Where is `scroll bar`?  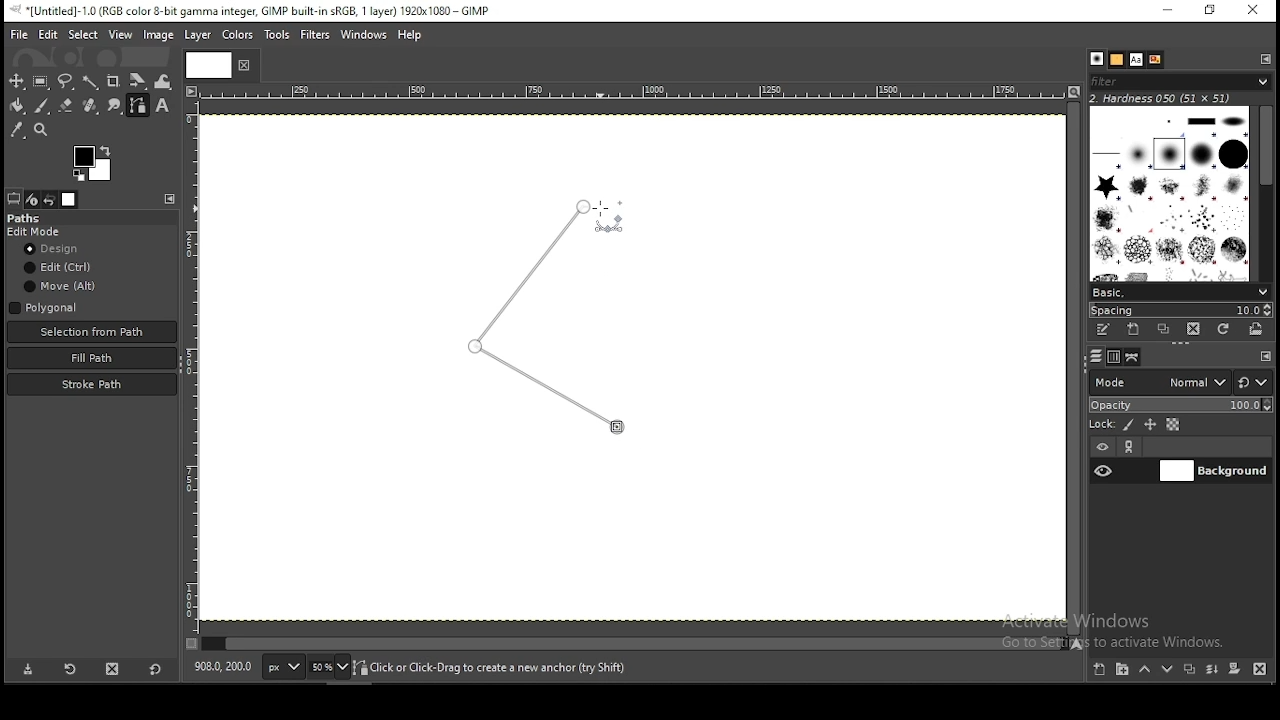 scroll bar is located at coordinates (1263, 194).